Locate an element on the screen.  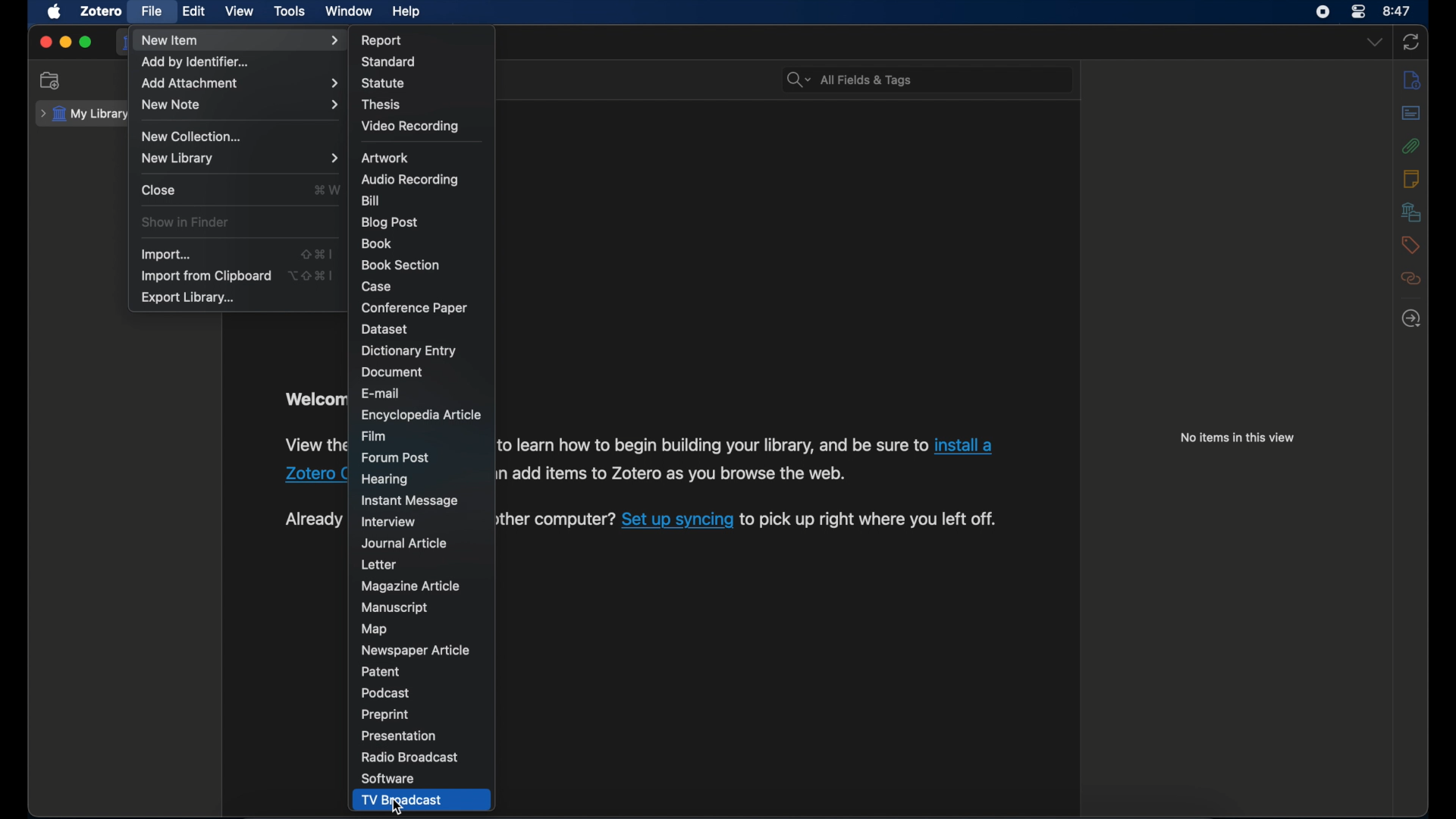
Already is located at coordinates (312, 519).